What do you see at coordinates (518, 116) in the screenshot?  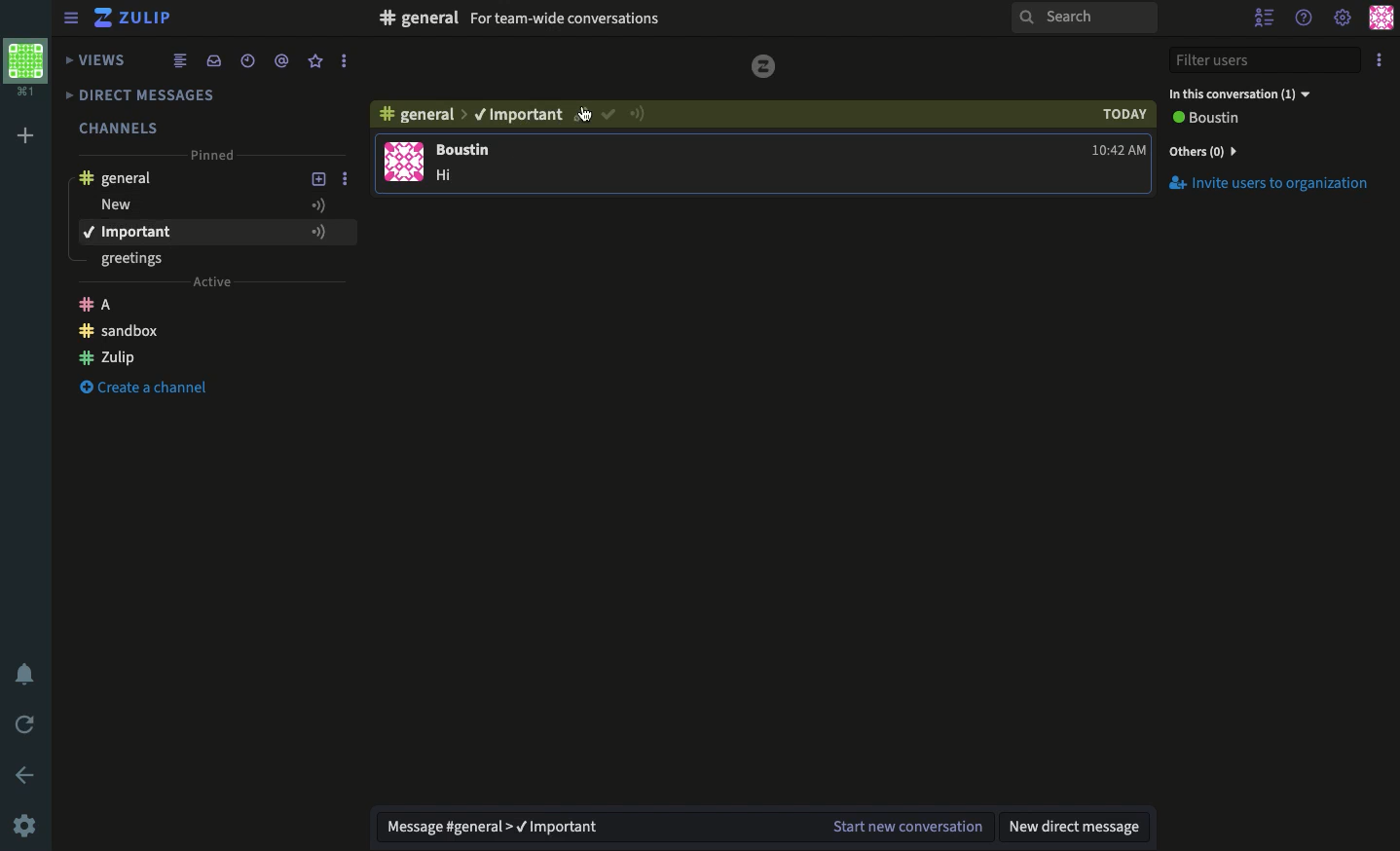 I see `important` at bounding box center [518, 116].